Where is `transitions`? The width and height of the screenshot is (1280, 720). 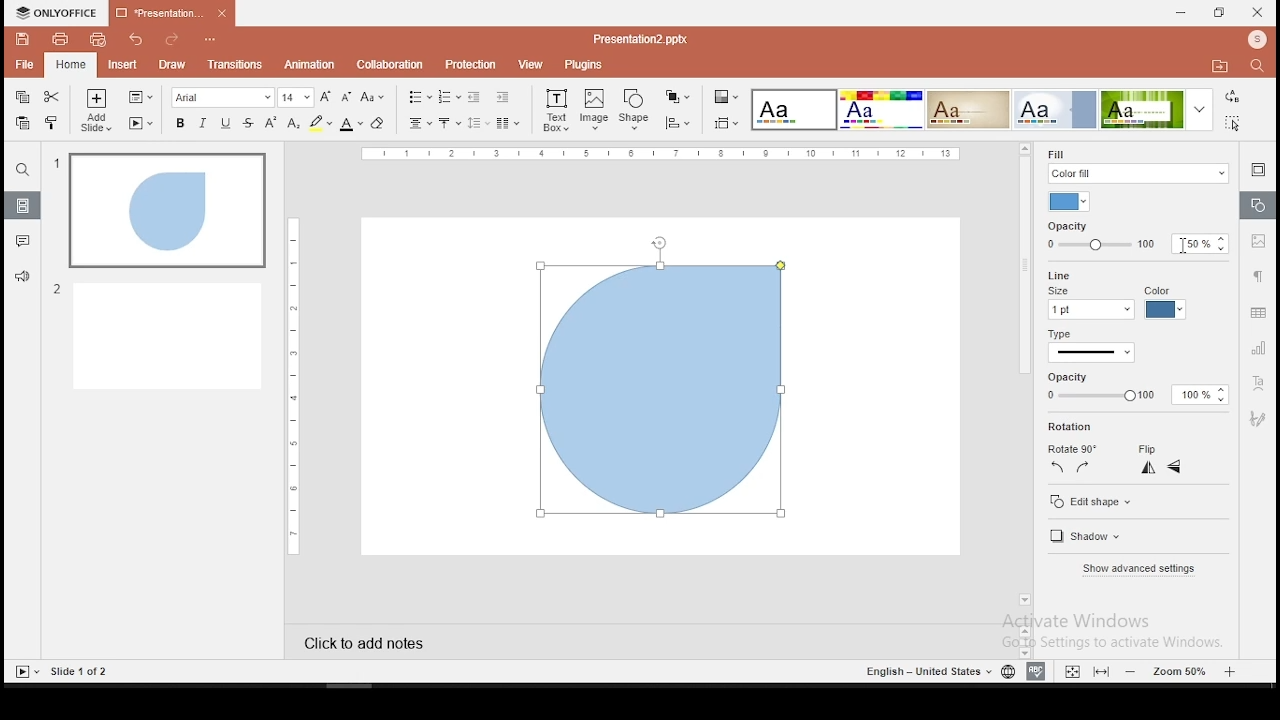 transitions is located at coordinates (234, 64).